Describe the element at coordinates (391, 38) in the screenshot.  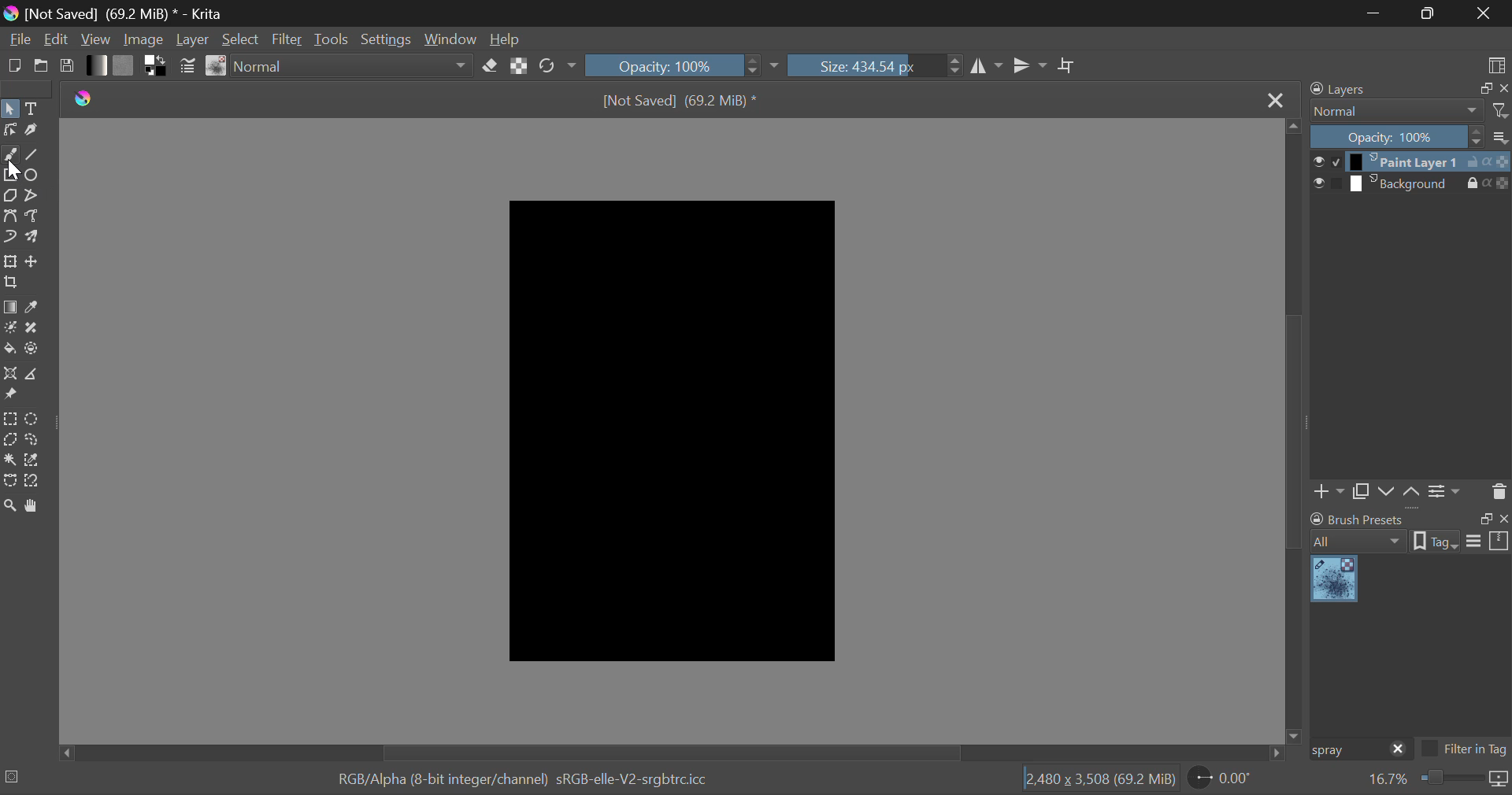
I see `Settings` at that location.